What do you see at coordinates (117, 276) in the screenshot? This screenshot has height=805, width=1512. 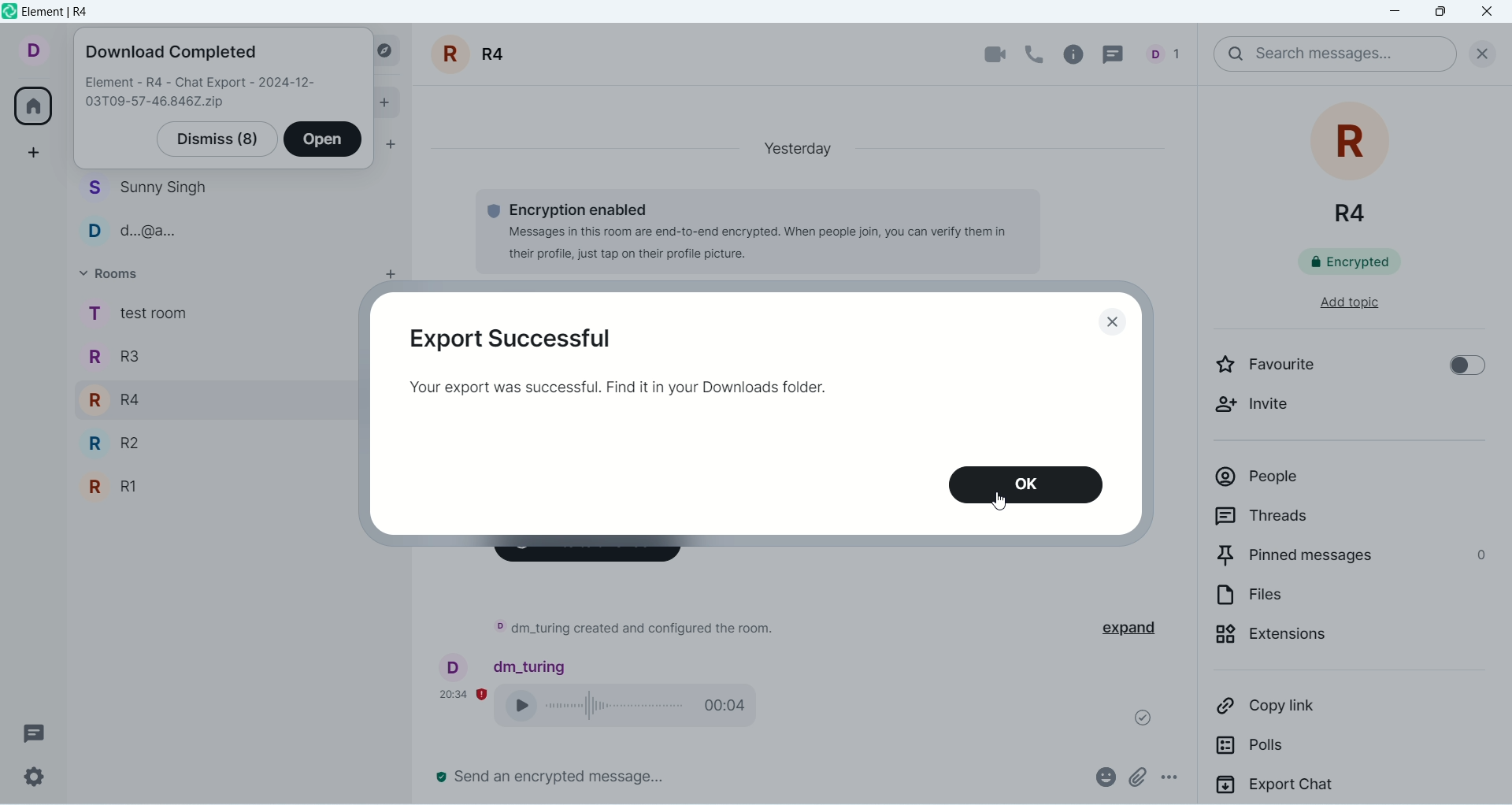 I see `rooms` at bounding box center [117, 276].